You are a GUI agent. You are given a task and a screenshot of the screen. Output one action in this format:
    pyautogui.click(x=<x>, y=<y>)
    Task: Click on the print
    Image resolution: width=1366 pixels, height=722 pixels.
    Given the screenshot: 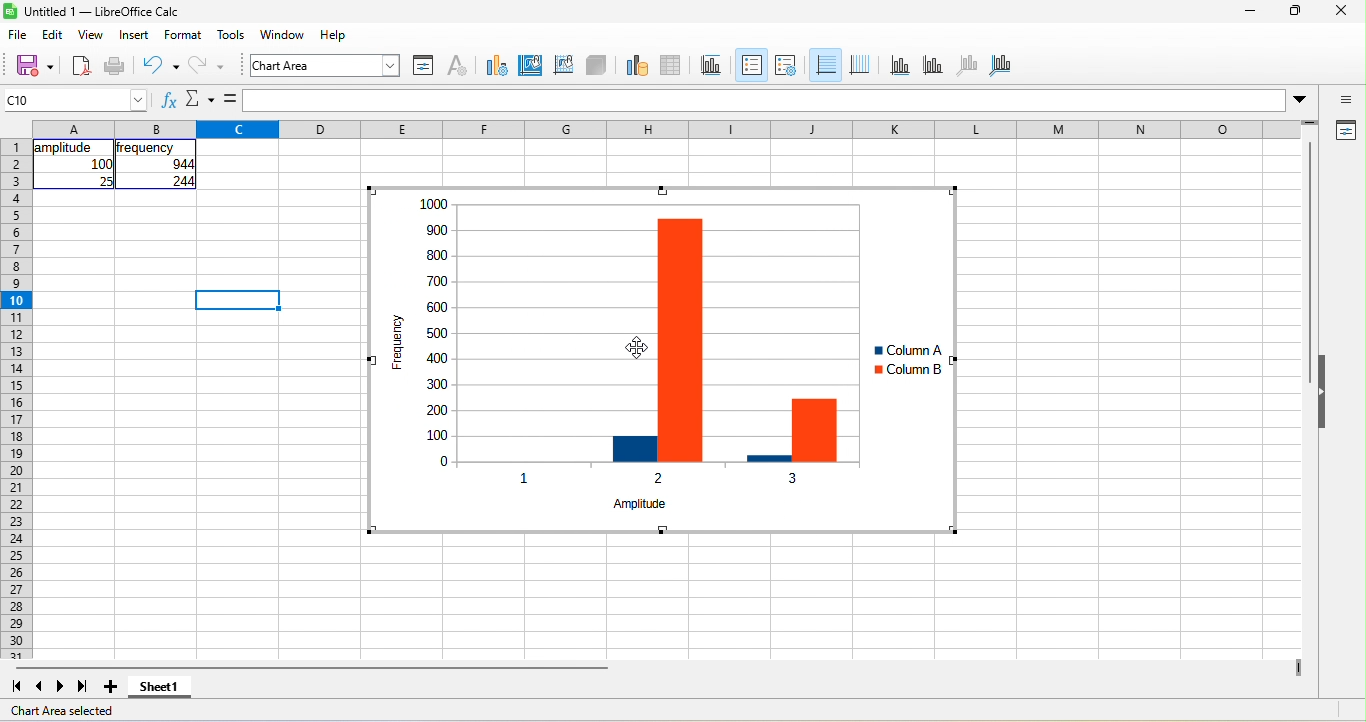 What is the action you would take?
    pyautogui.click(x=115, y=67)
    